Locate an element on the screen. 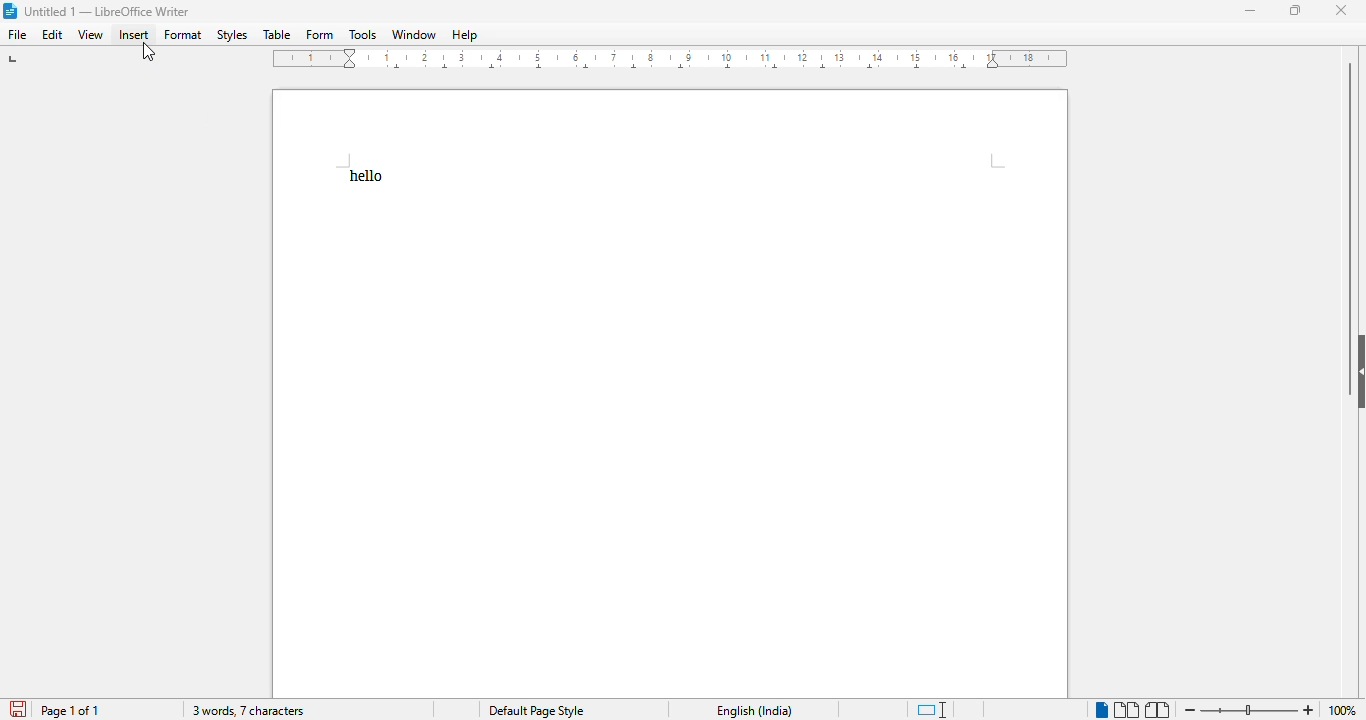 The image size is (1366, 720). cursor is located at coordinates (149, 52).